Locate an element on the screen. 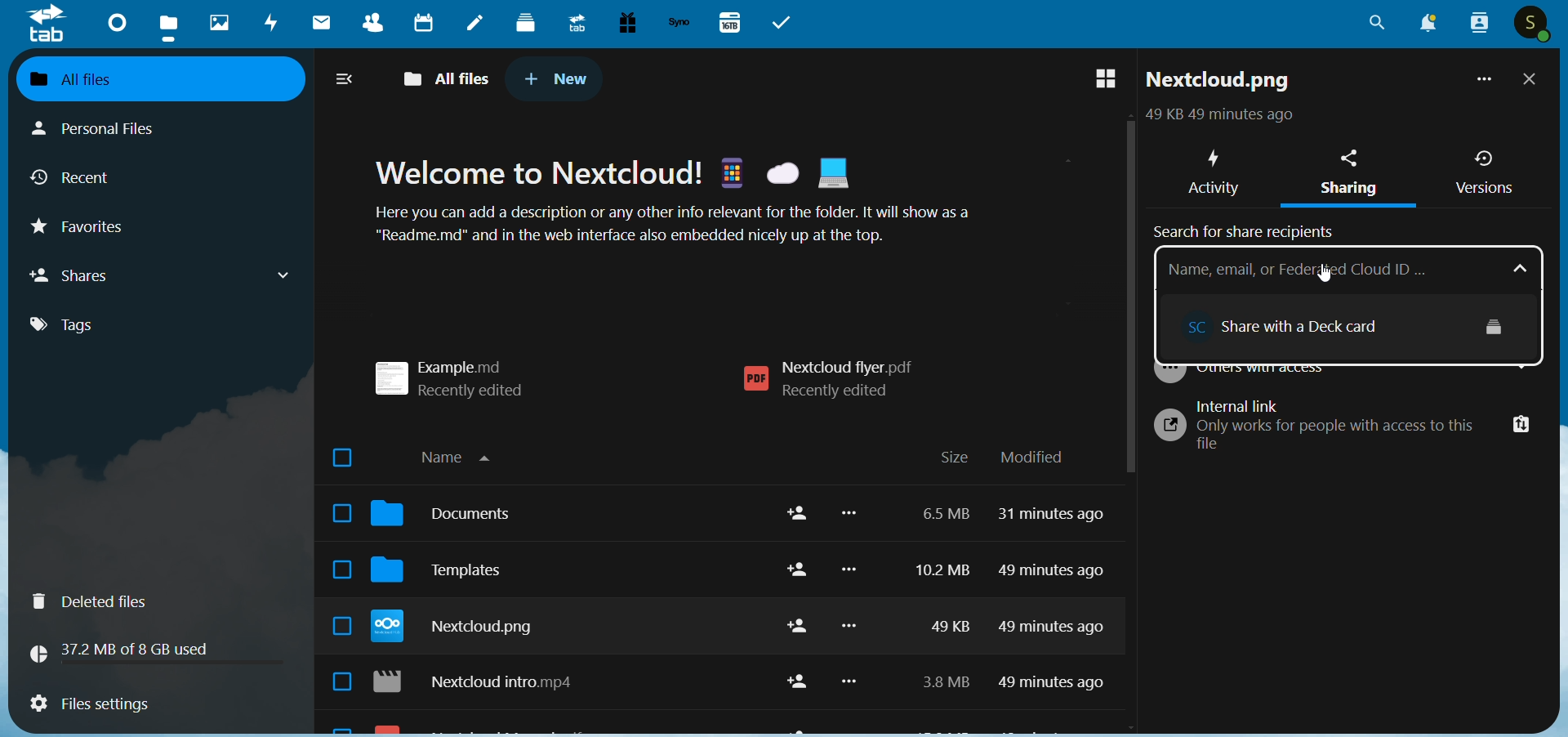 The width and height of the screenshot is (1568, 737). nextcloud png is located at coordinates (1219, 83).